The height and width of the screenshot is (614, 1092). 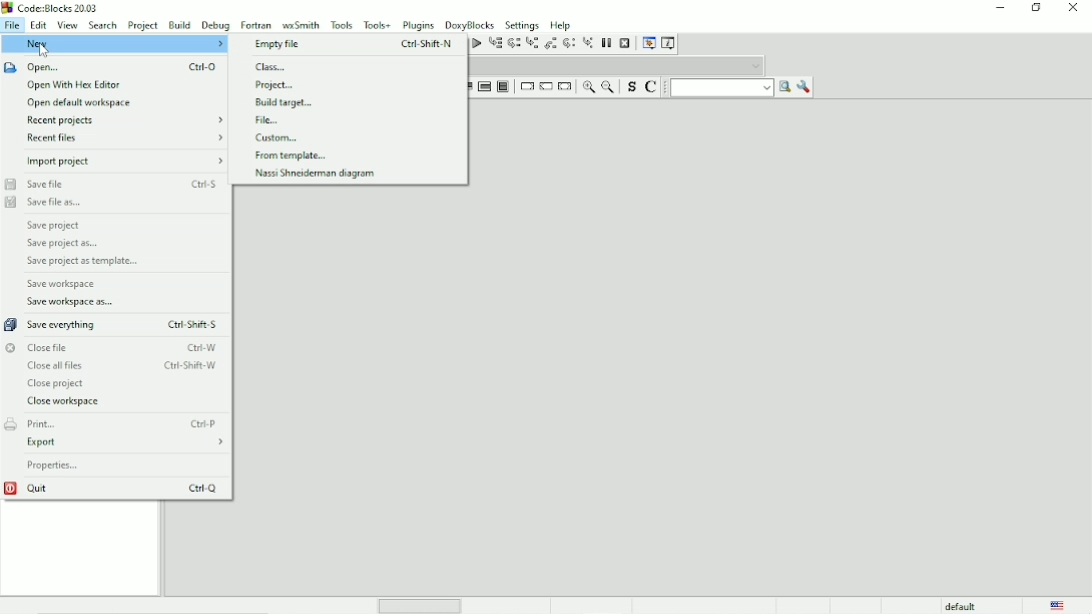 I want to click on Recent files, so click(x=127, y=138).